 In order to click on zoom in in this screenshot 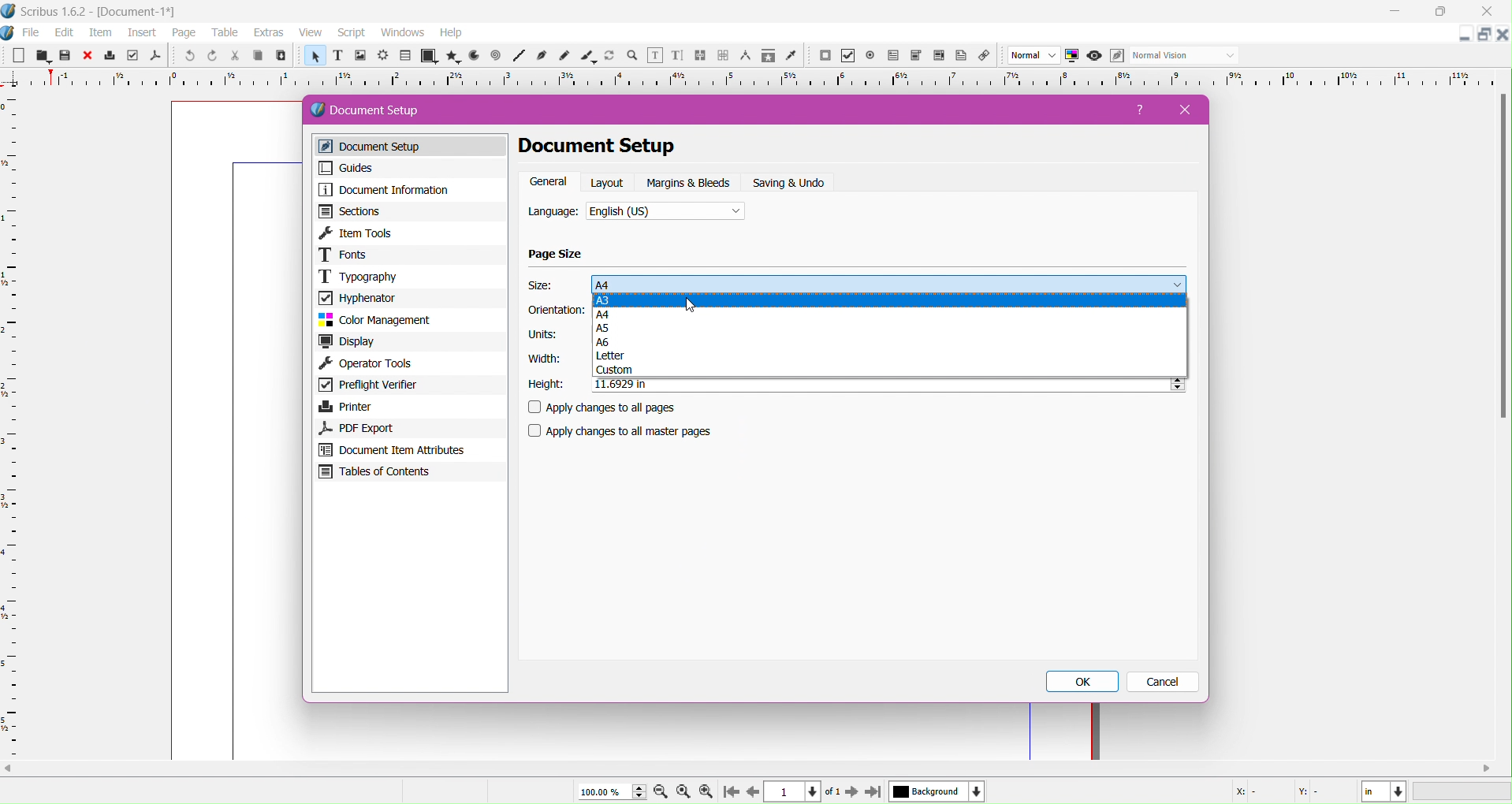, I will do `click(706, 792)`.